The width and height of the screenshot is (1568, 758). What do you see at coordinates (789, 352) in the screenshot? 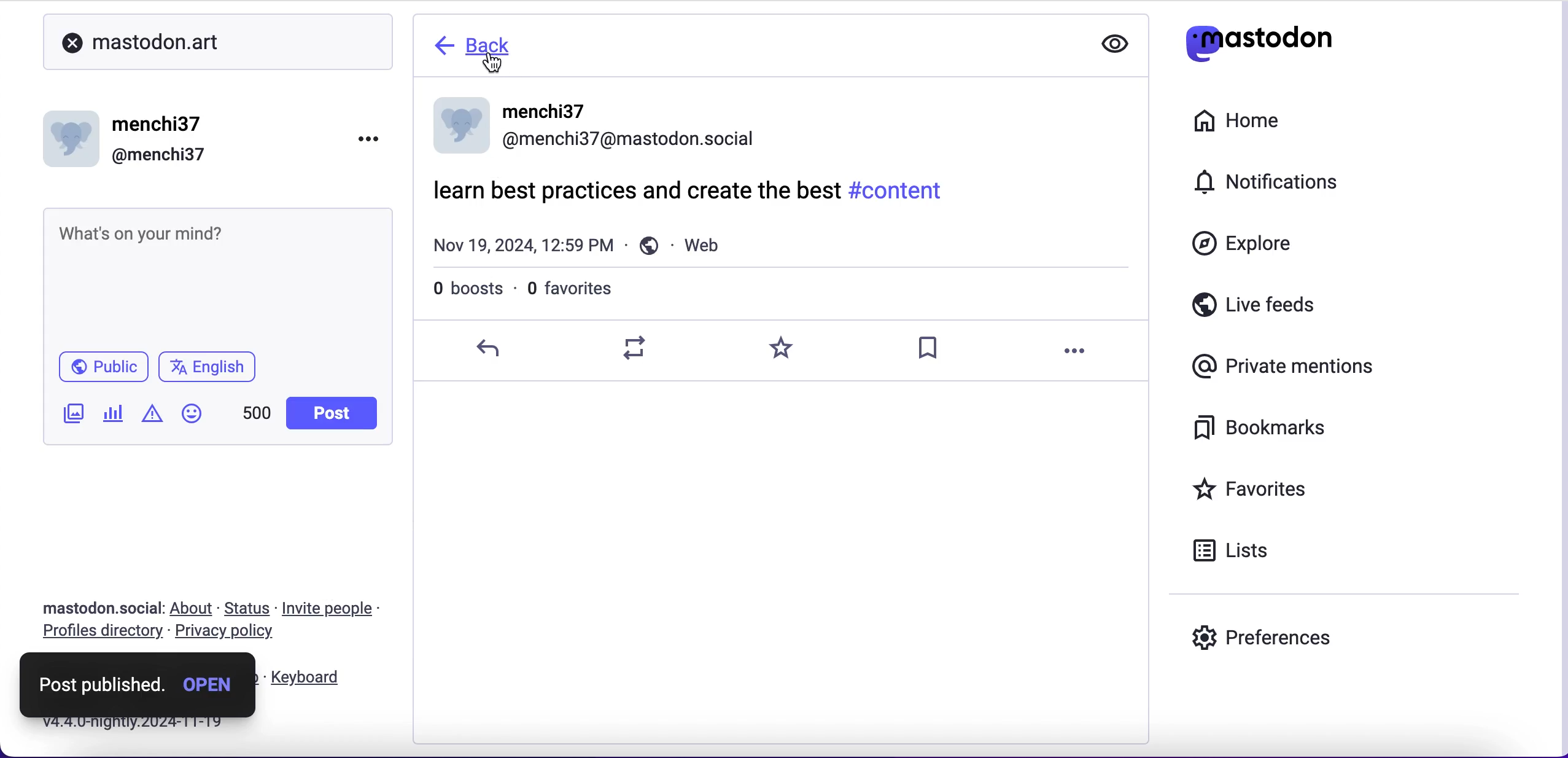
I see `favorite` at bounding box center [789, 352].